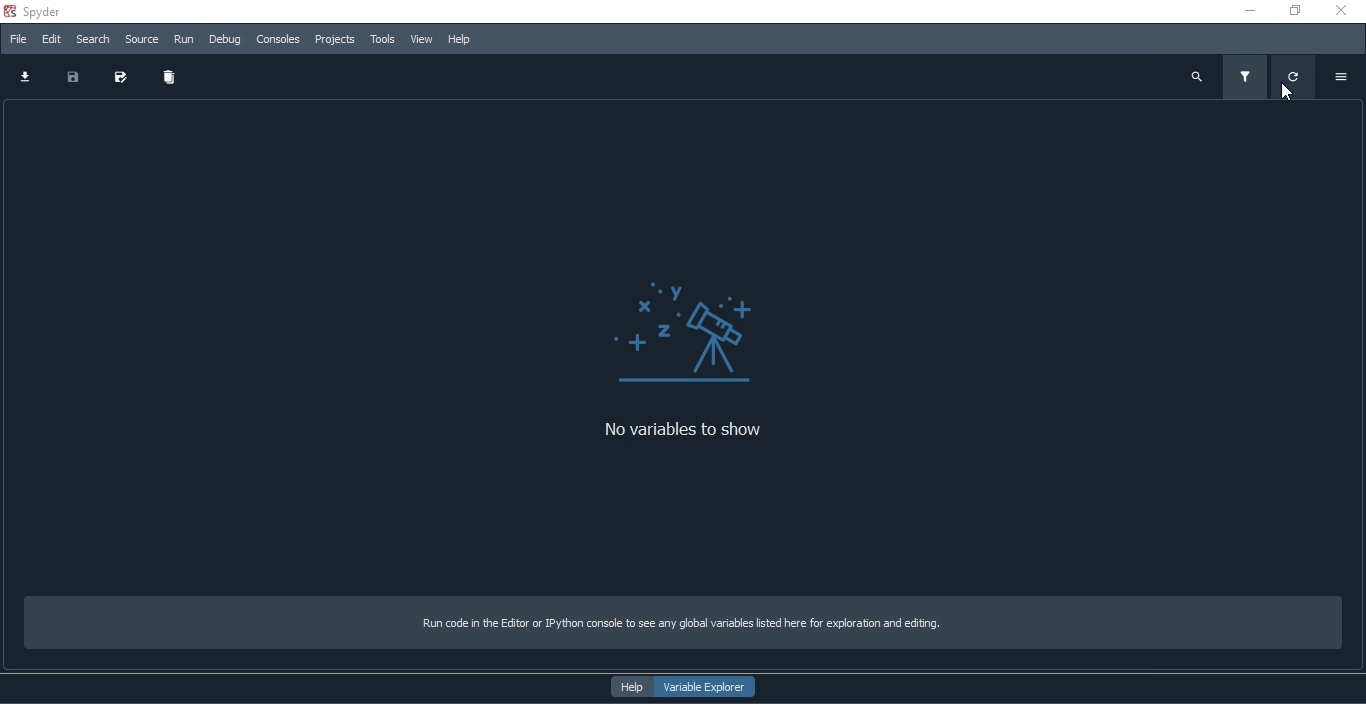 The image size is (1366, 704). Describe the element at coordinates (11, 10) in the screenshot. I see `spyder logo` at that location.